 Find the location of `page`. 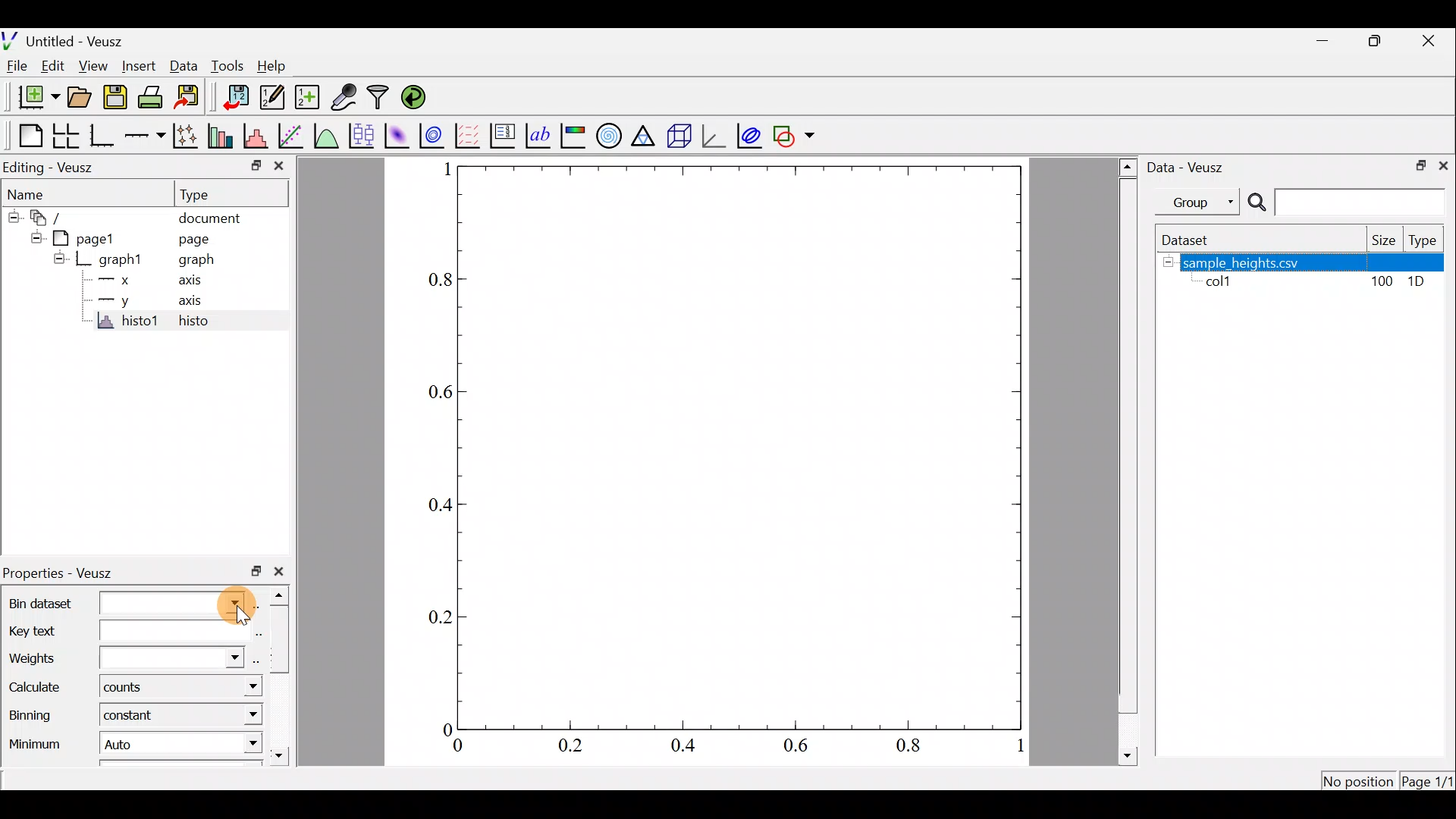

page is located at coordinates (196, 240).